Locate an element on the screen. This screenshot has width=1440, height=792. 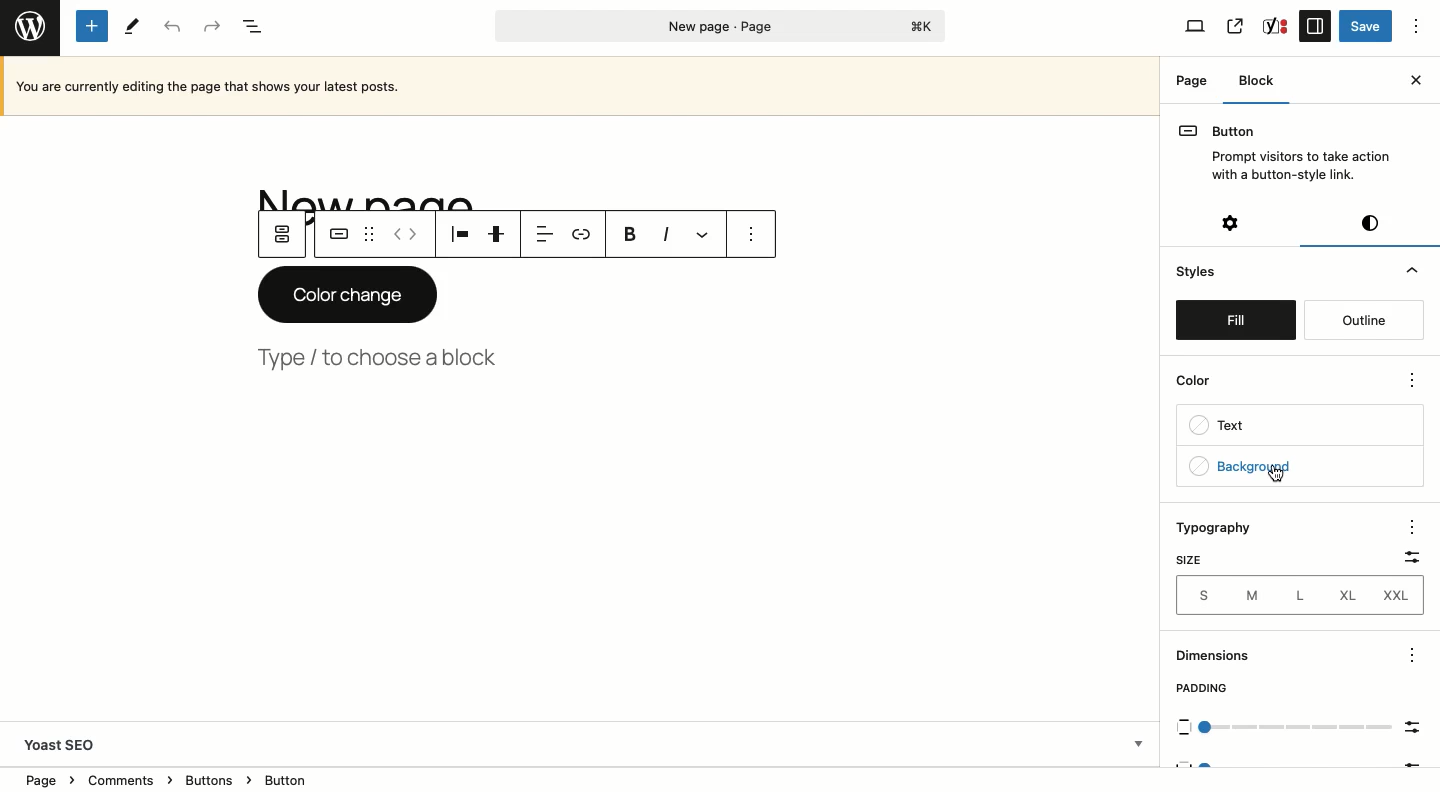
XXL is located at coordinates (1401, 592).